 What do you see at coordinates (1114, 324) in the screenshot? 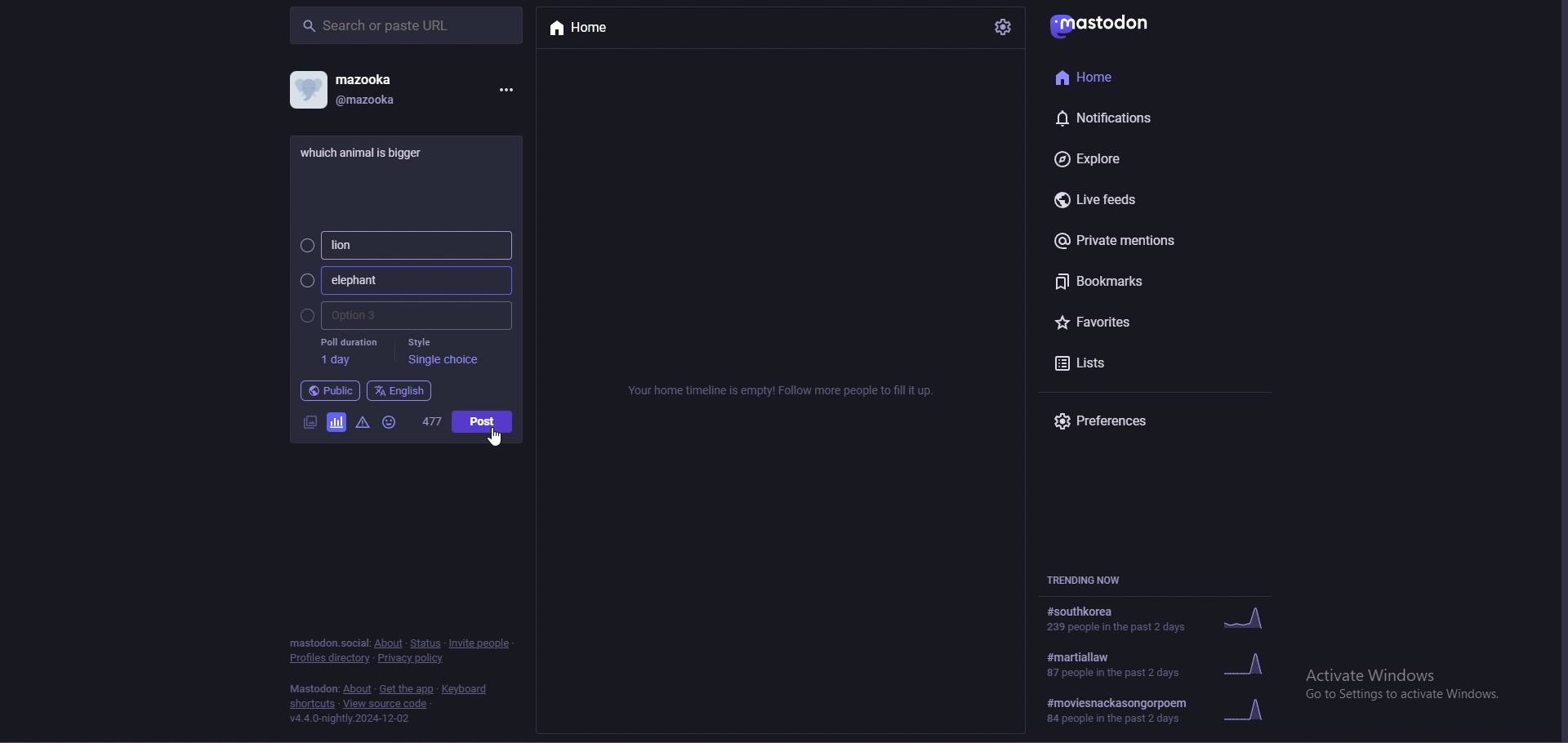
I see `favorites` at bounding box center [1114, 324].